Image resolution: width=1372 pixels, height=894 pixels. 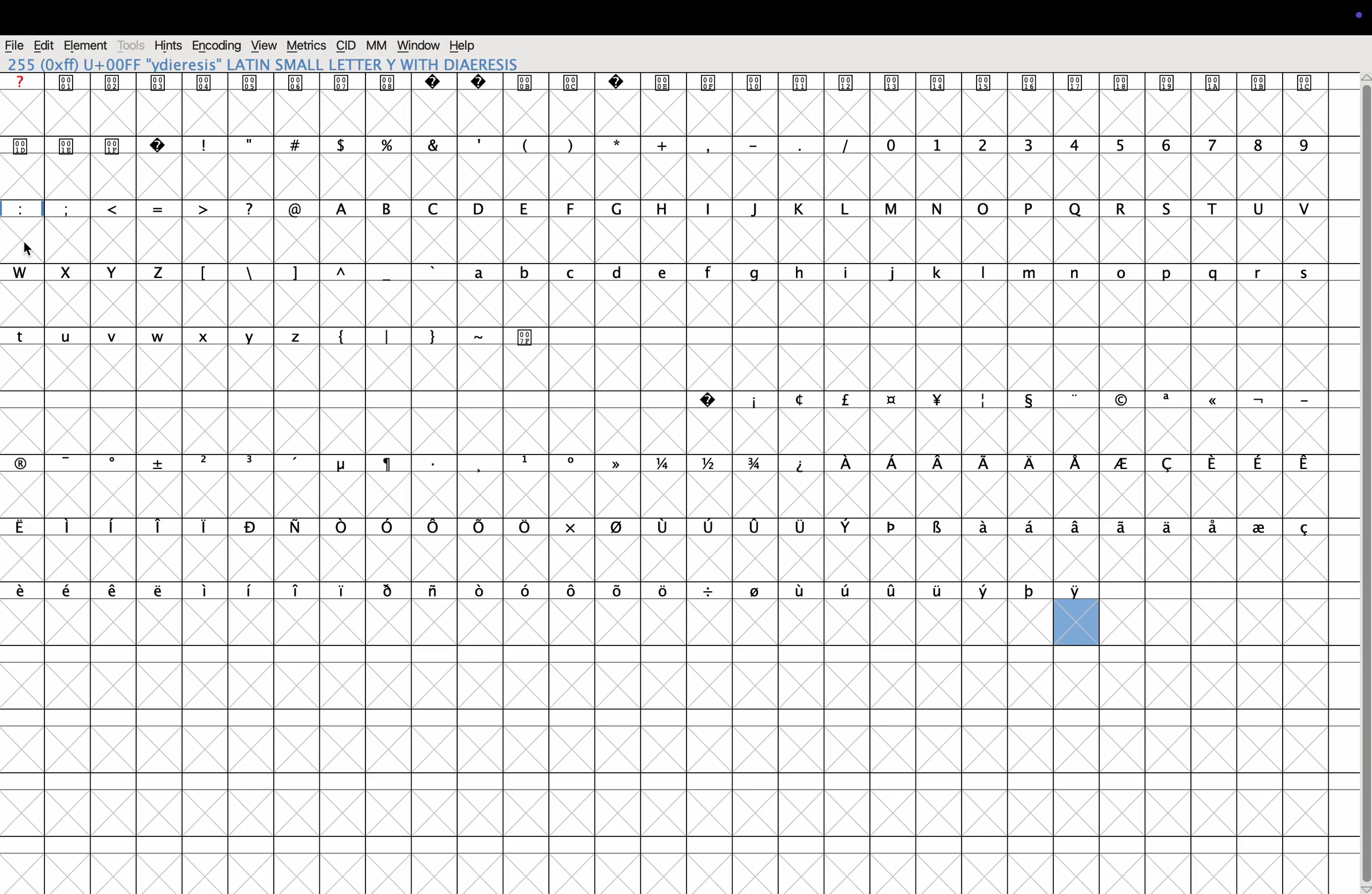 I want to click on @, so click(x=296, y=231).